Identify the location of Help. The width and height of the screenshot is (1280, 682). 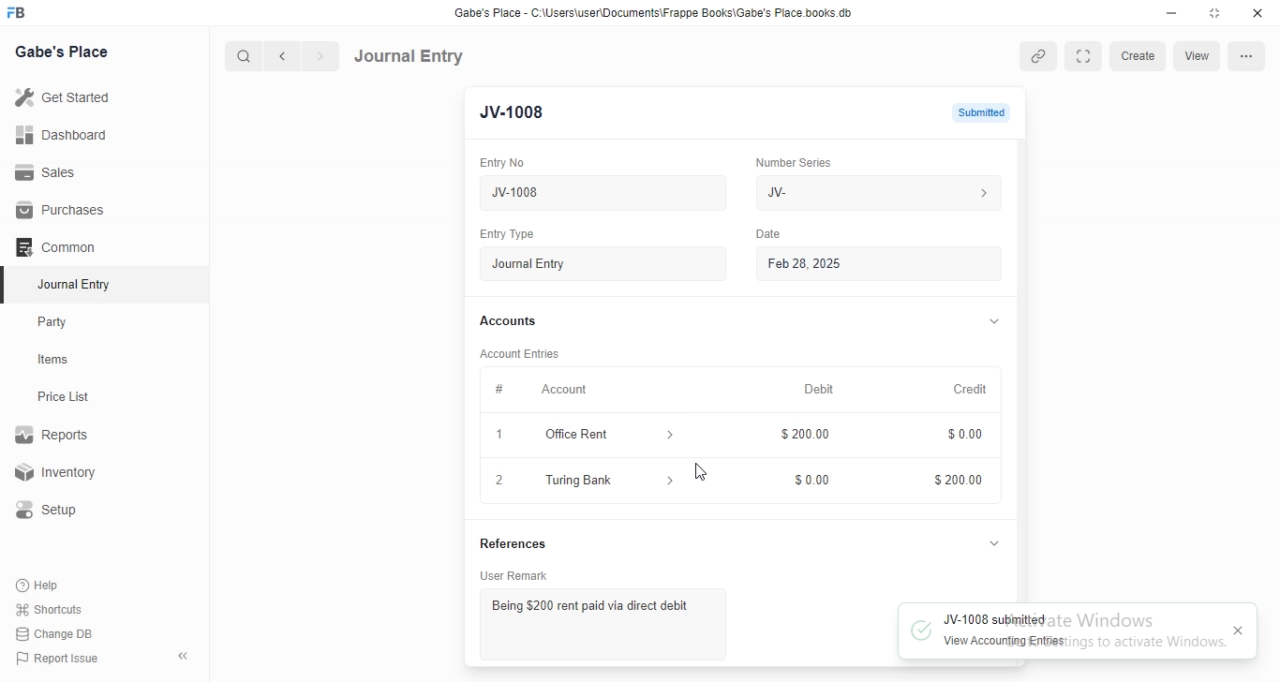
(41, 585).